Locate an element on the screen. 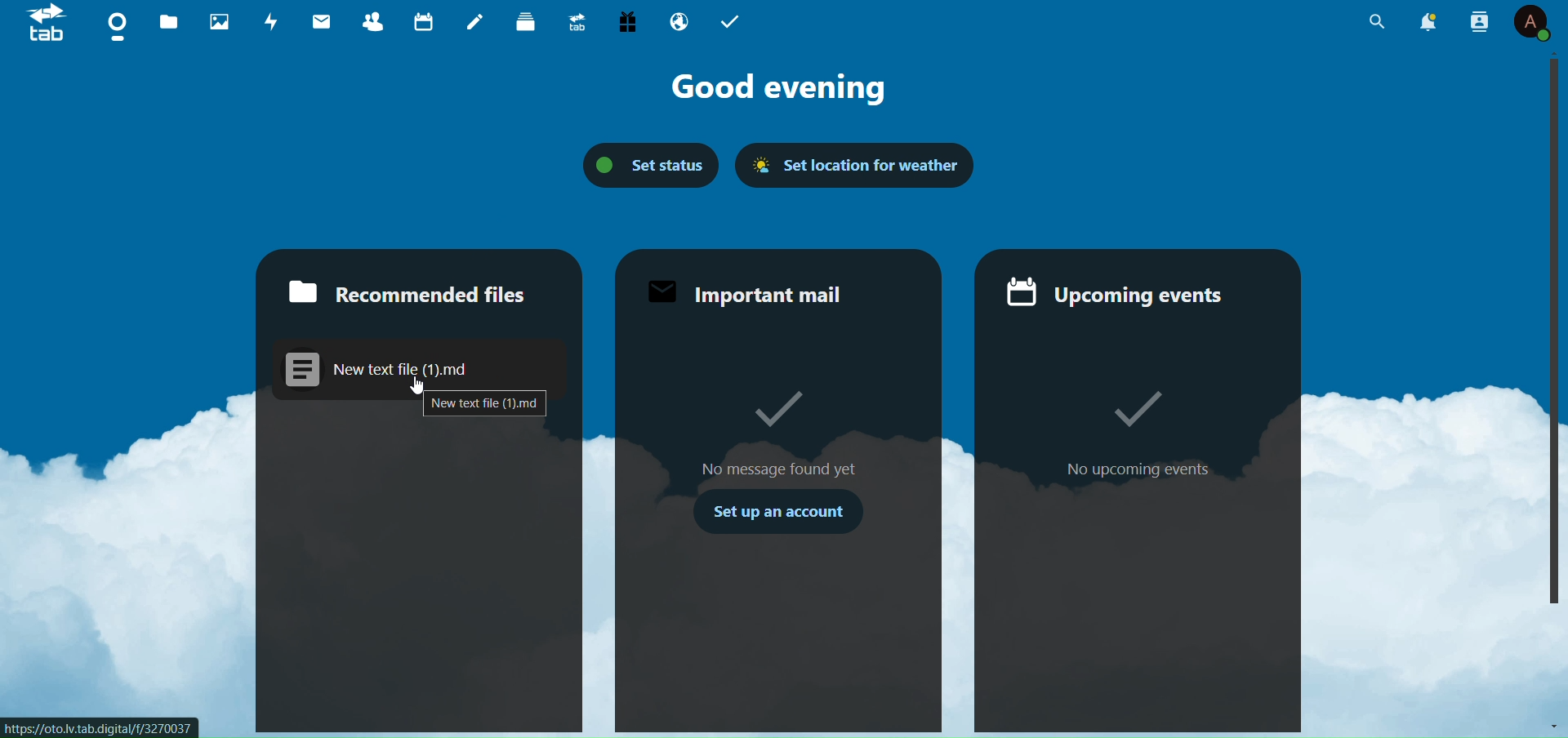  important mail is located at coordinates (751, 295).